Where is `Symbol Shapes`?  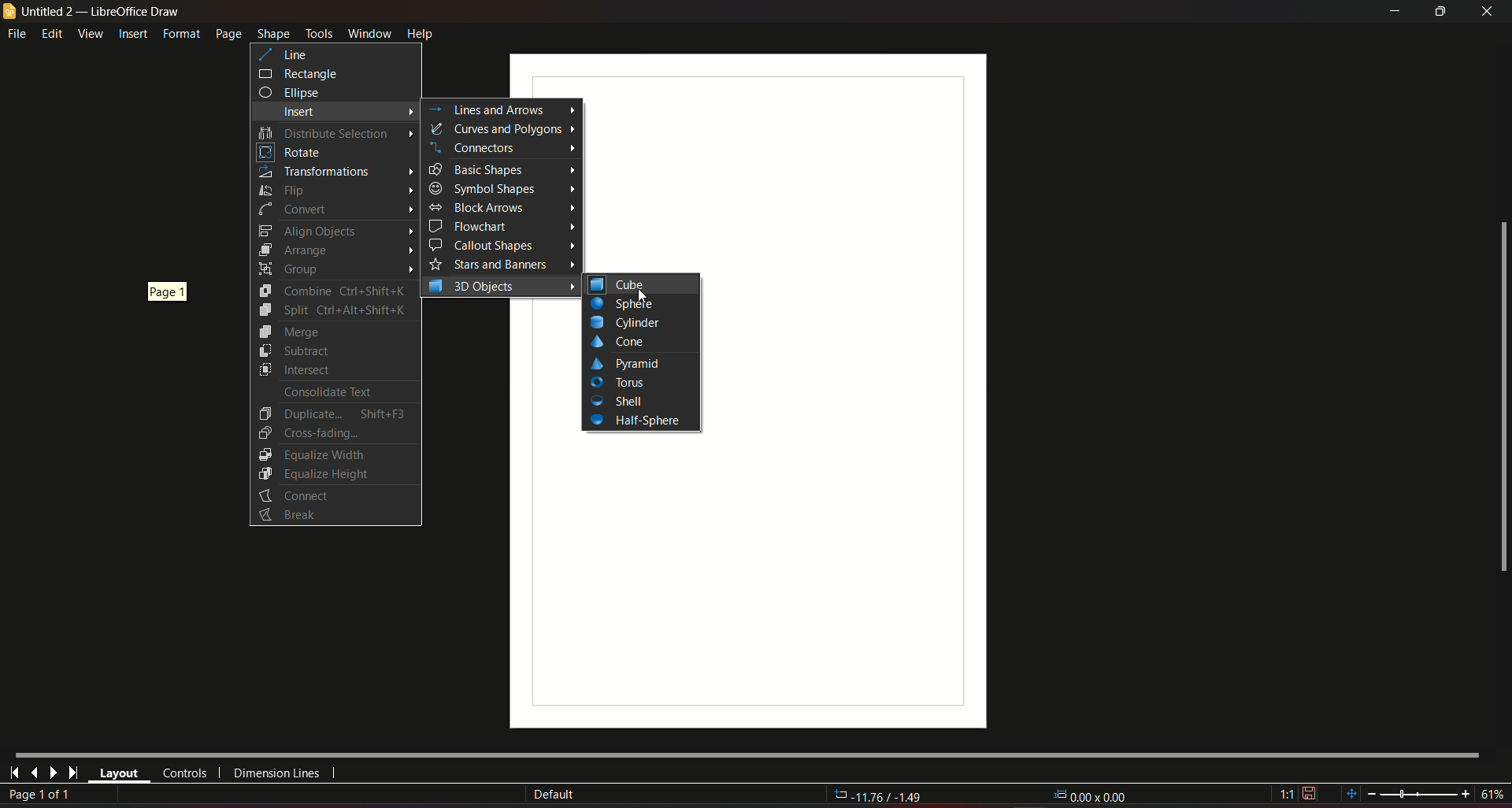
Symbol Shapes is located at coordinates (482, 189).